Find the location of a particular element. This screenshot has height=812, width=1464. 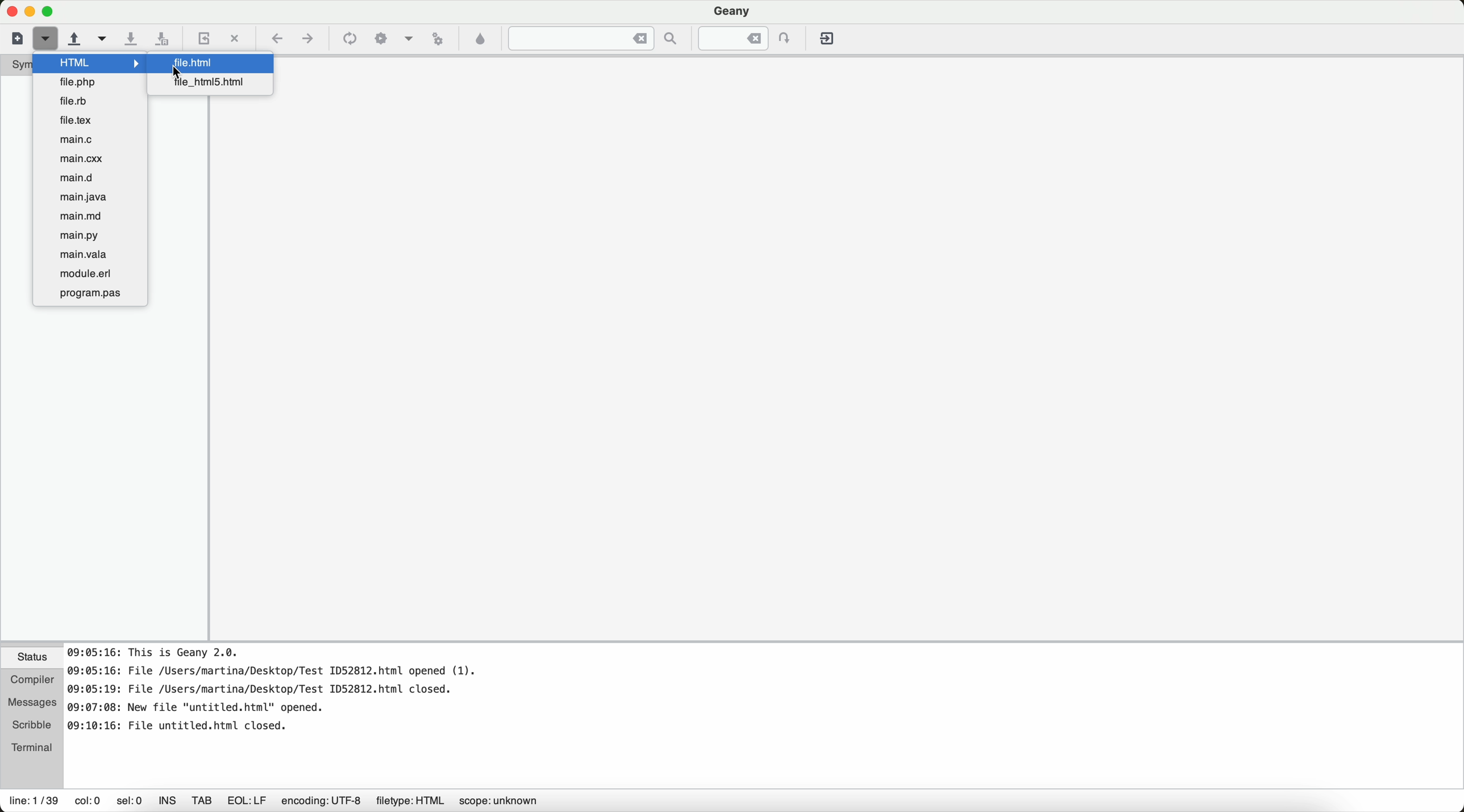

compiler is located at coordinates (30, 680).